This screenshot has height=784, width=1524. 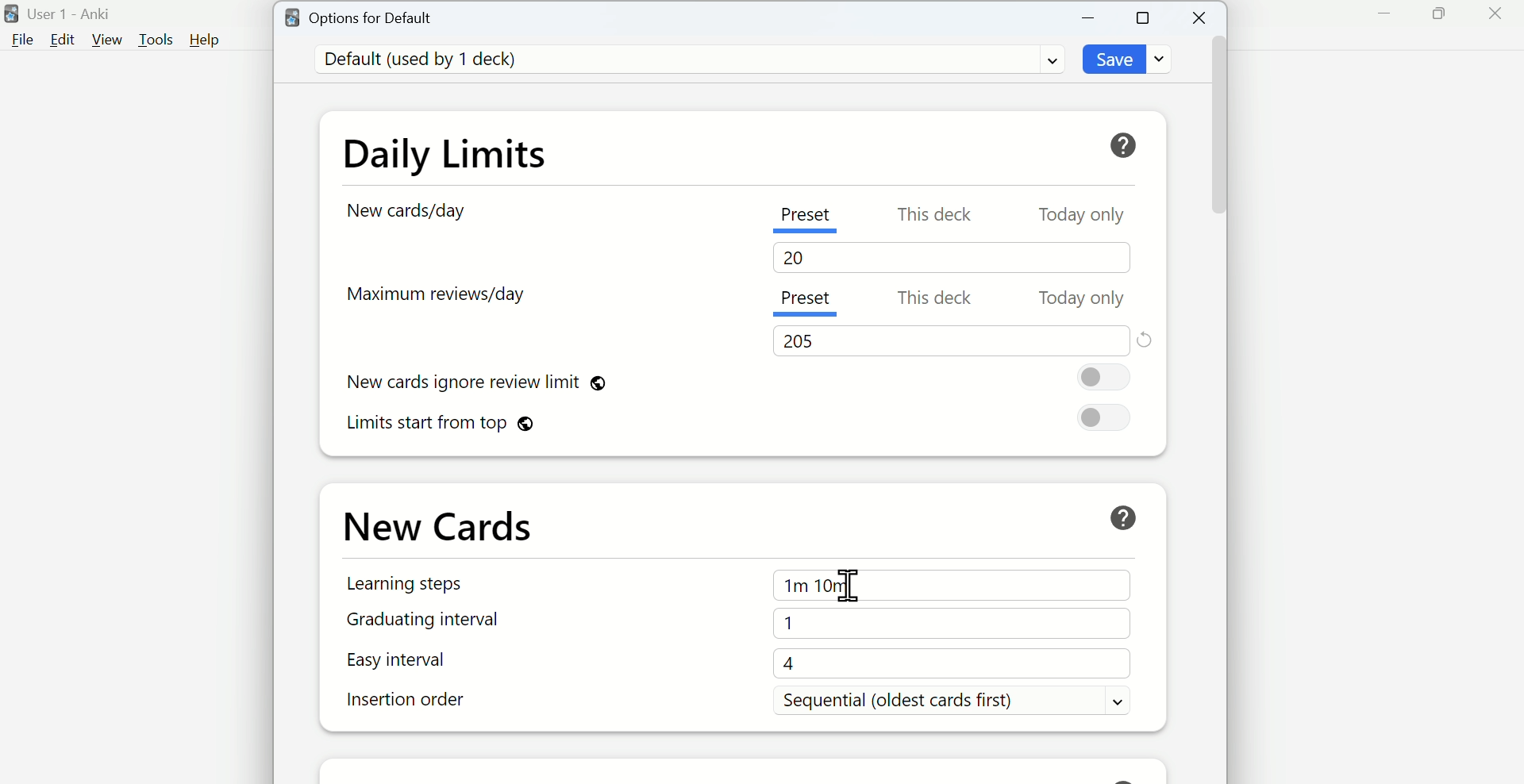 What do you see at coordinates (1498, 16) in the screenshot?
I see `Close` at bounding box center [1498, 16].